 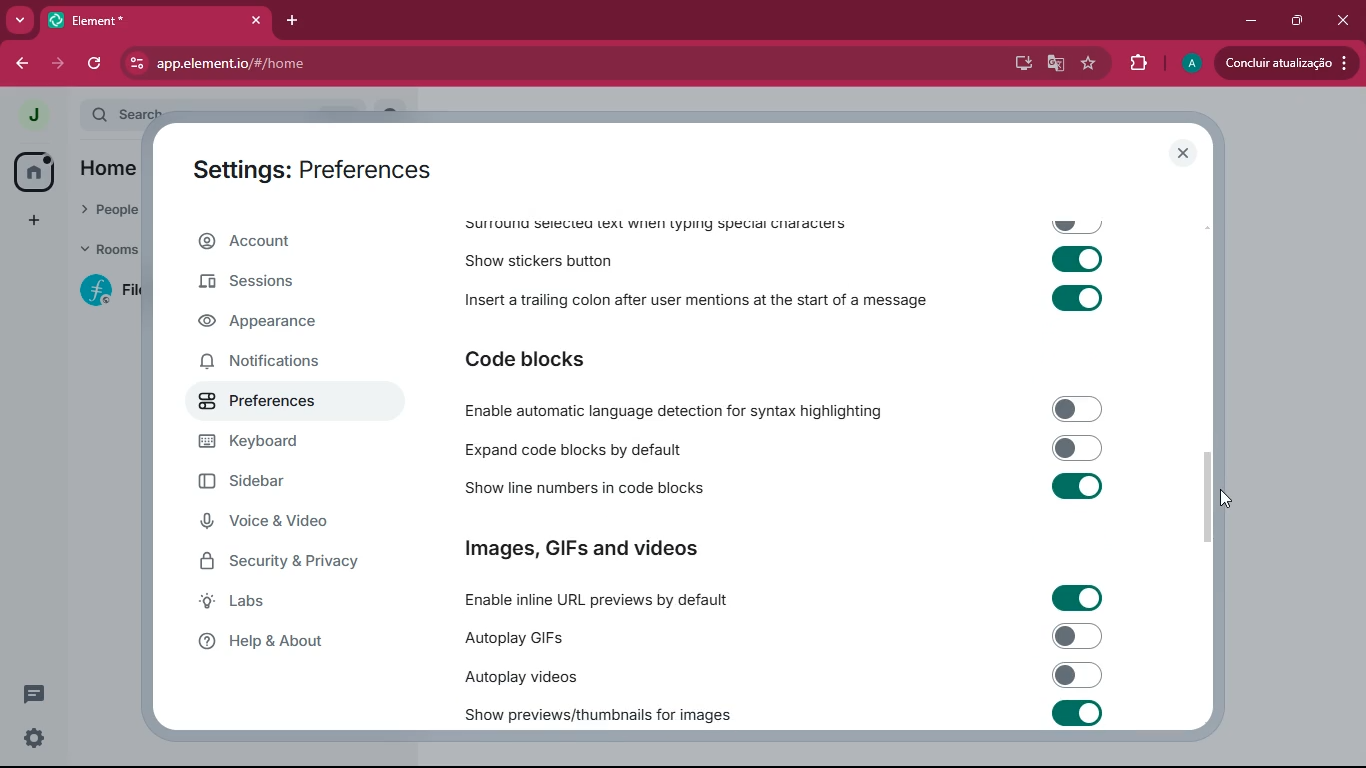 What do you see at coordinates (291, 642) in the screenshot?
I see `help` at bounding box center [291, 642].